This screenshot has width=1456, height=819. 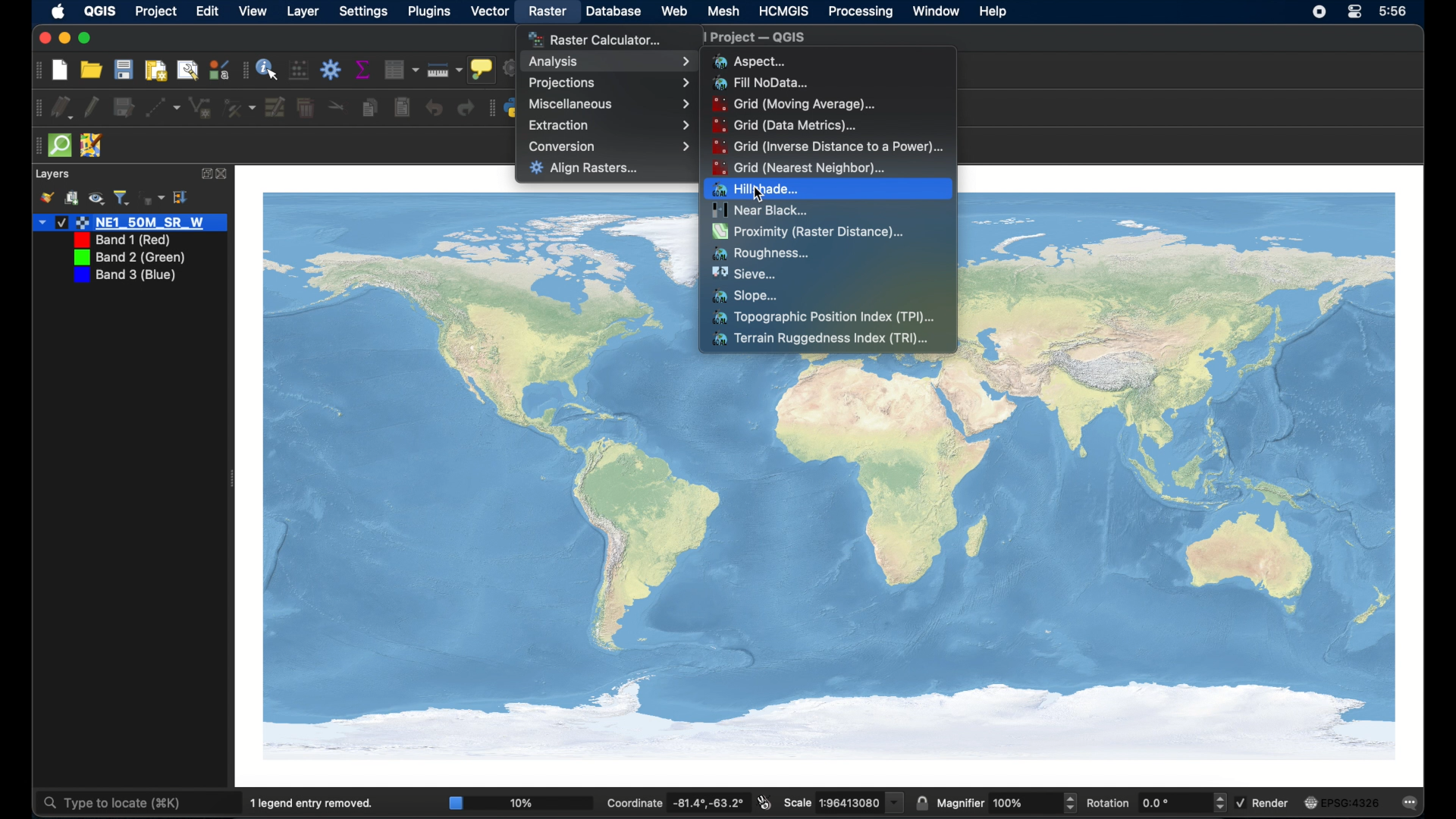 What do you see at coordinates (1393, 11) in the screenshot?
I see `time` at bounding box center [1393, 11].